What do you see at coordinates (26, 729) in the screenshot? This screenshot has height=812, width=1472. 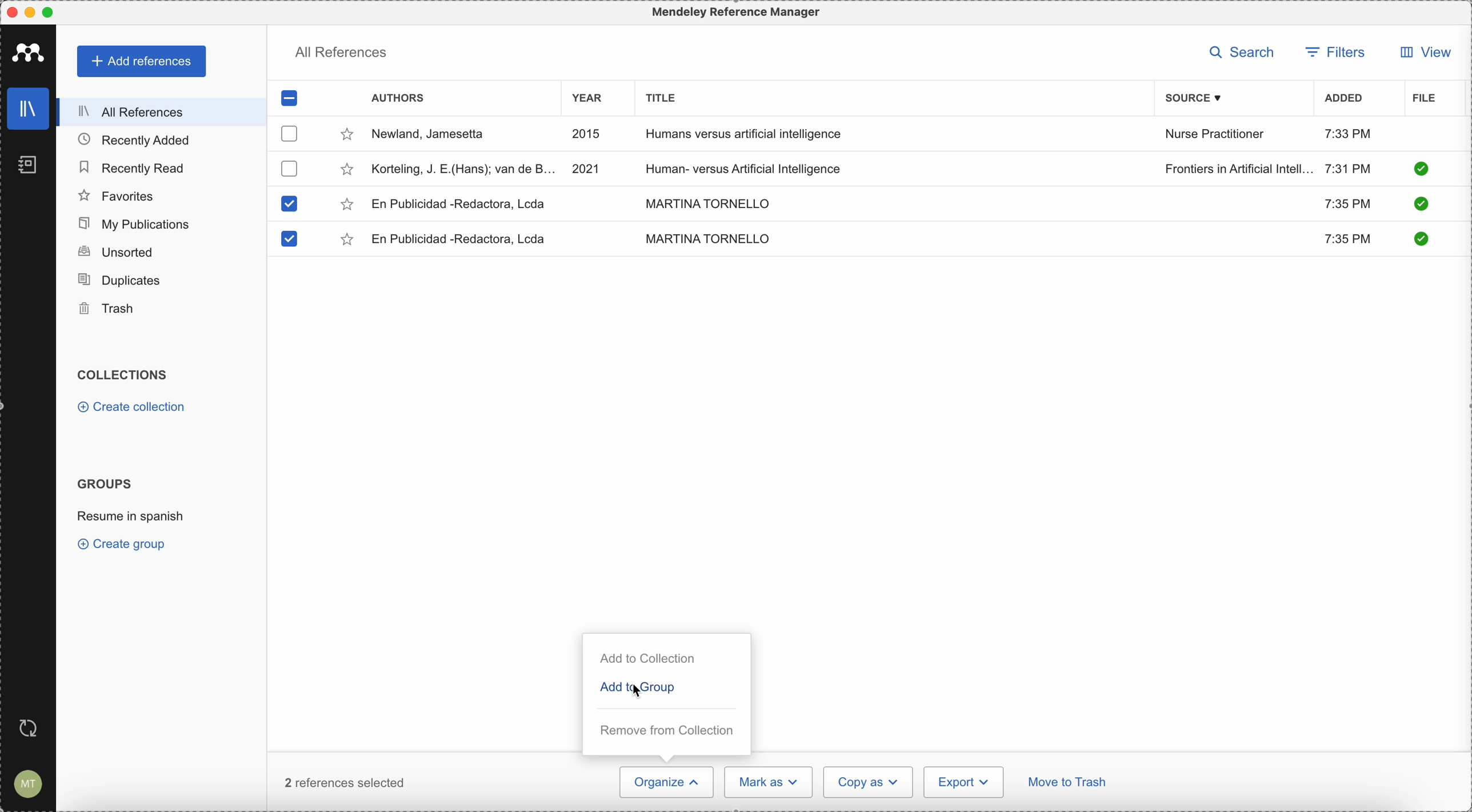 I see `last sync` at bounding box center [26, 729].